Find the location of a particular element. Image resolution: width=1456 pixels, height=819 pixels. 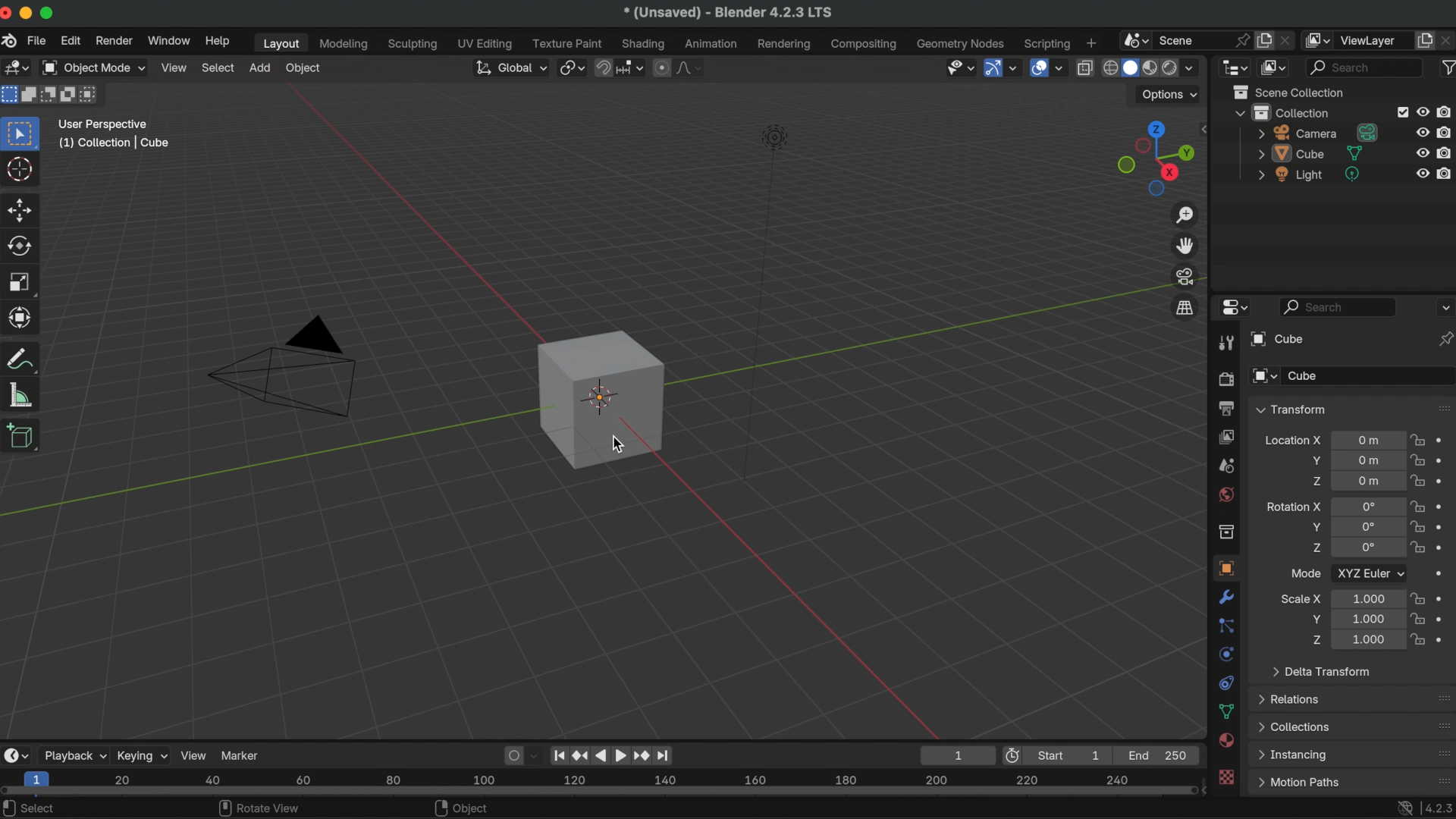

remove view layer is located at coordinates (1447, 39).